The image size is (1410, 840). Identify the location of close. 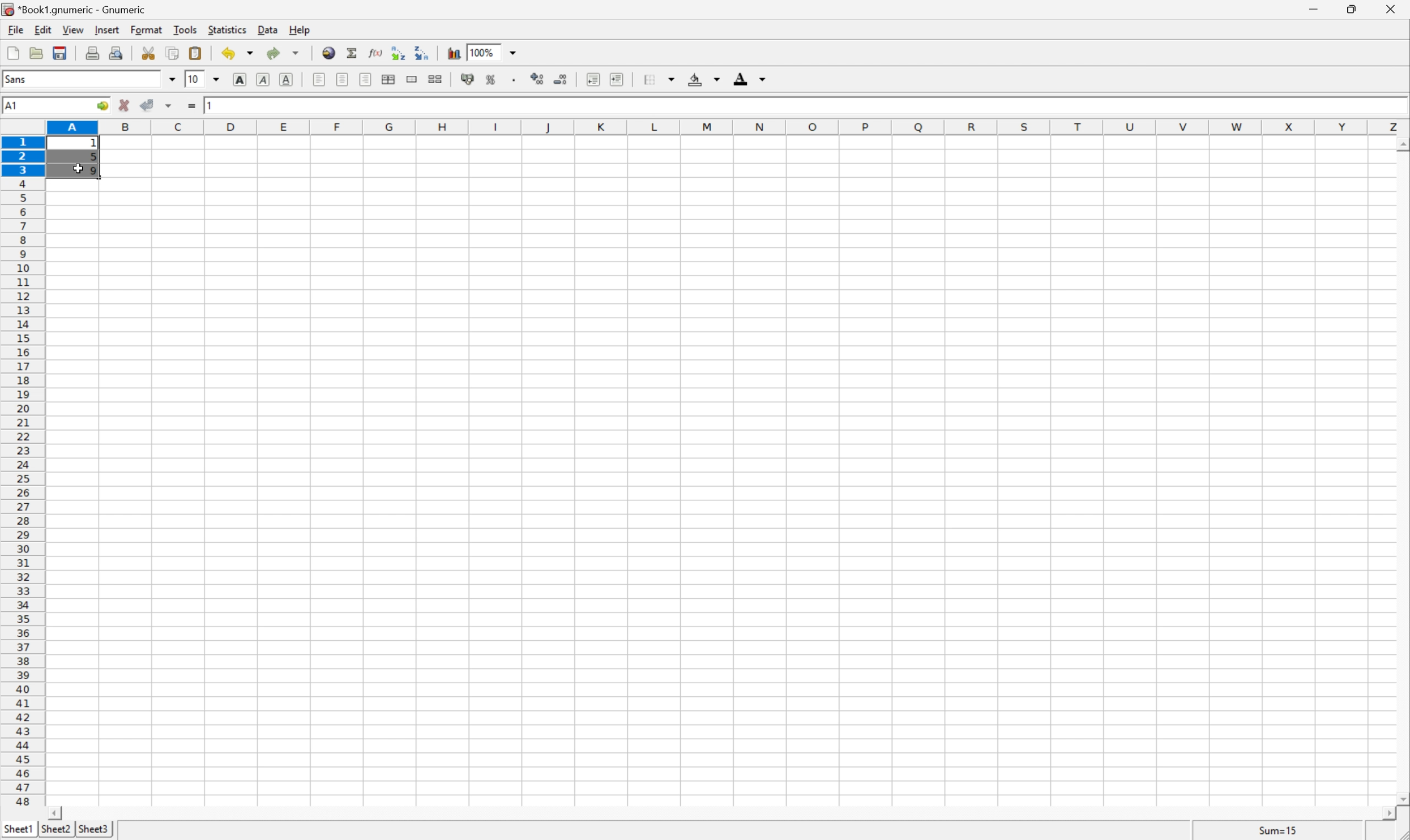
(1397, 9).